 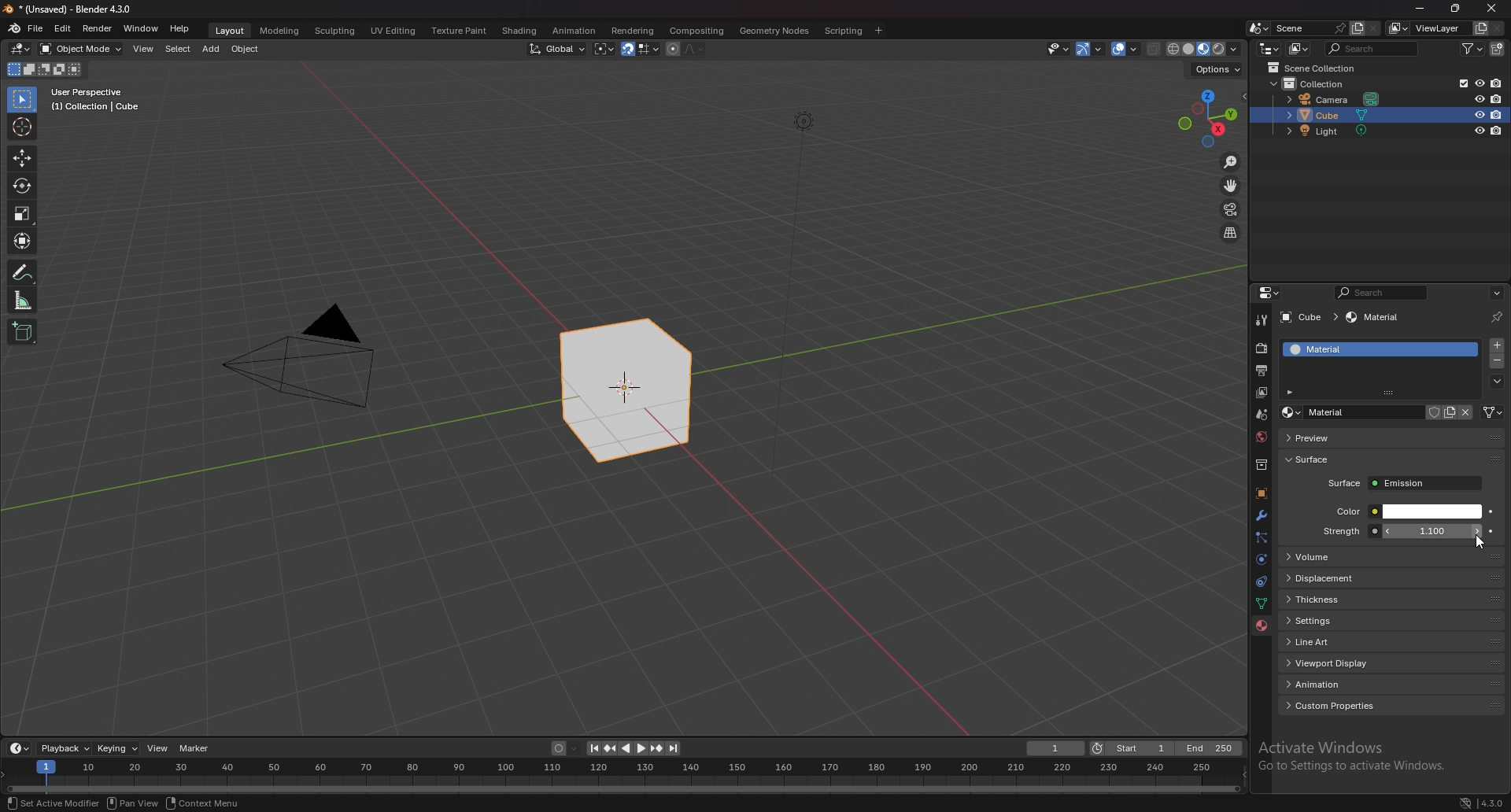 What do you see at coordinates (1404, 483) in the screenshot?
I see `surface` at bounding box center [1404, 483].